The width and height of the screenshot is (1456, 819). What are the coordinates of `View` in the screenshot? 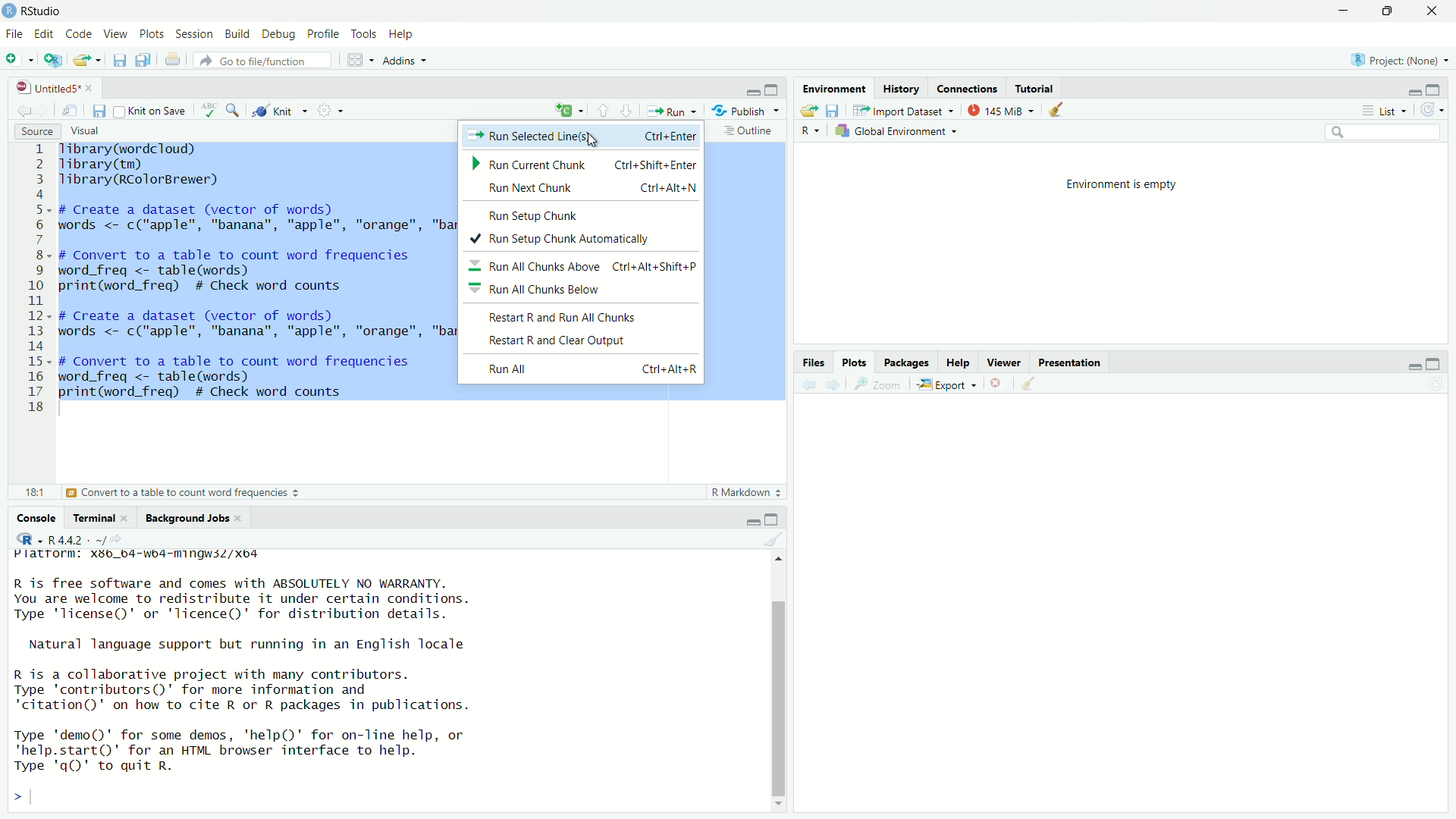 It's located at (115, 34).